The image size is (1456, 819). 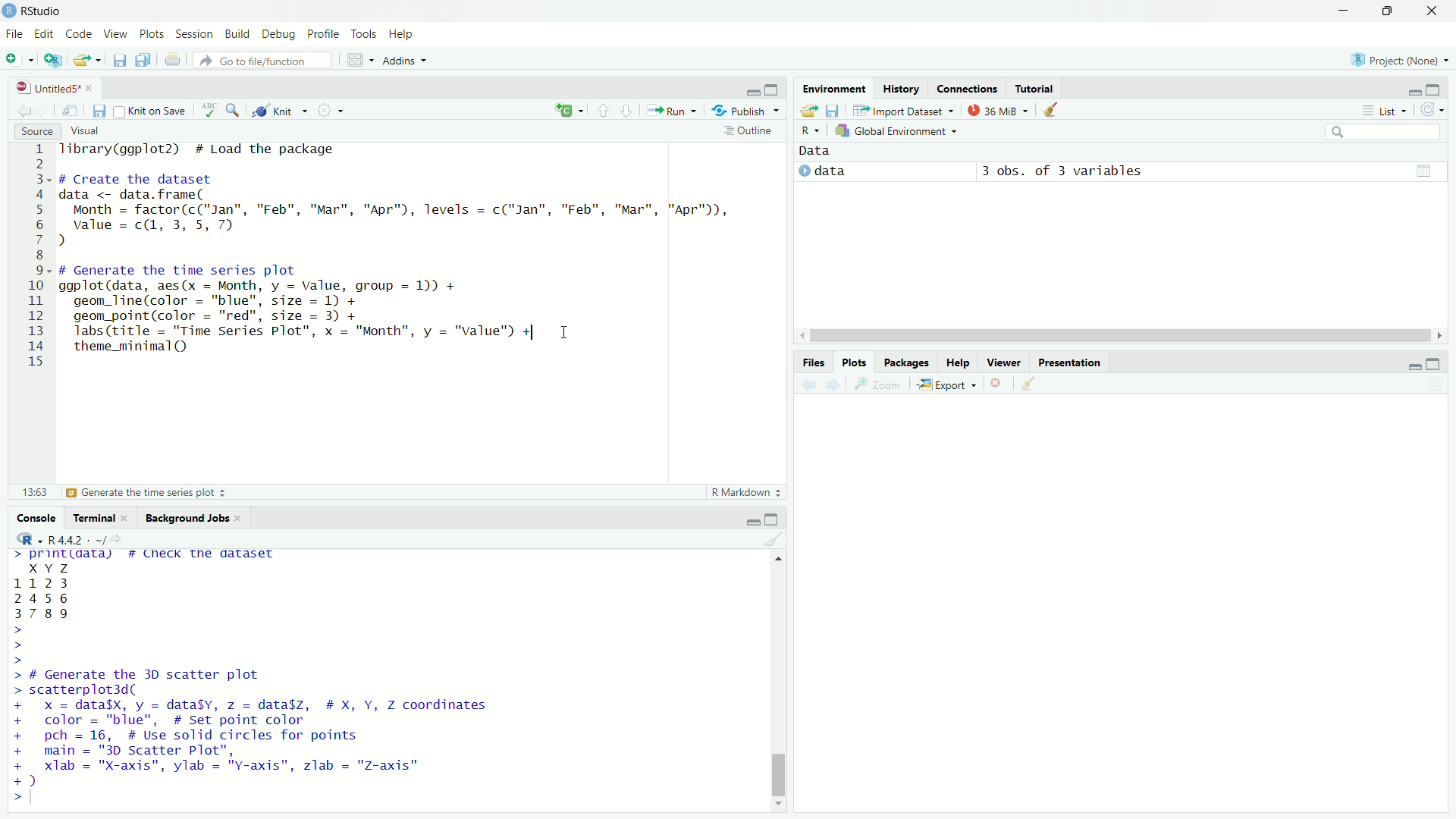 What do you see at coordinates (601, 111) in the screenshot?
I see `go to previous section/chunk` at bounding box center [601, 111].